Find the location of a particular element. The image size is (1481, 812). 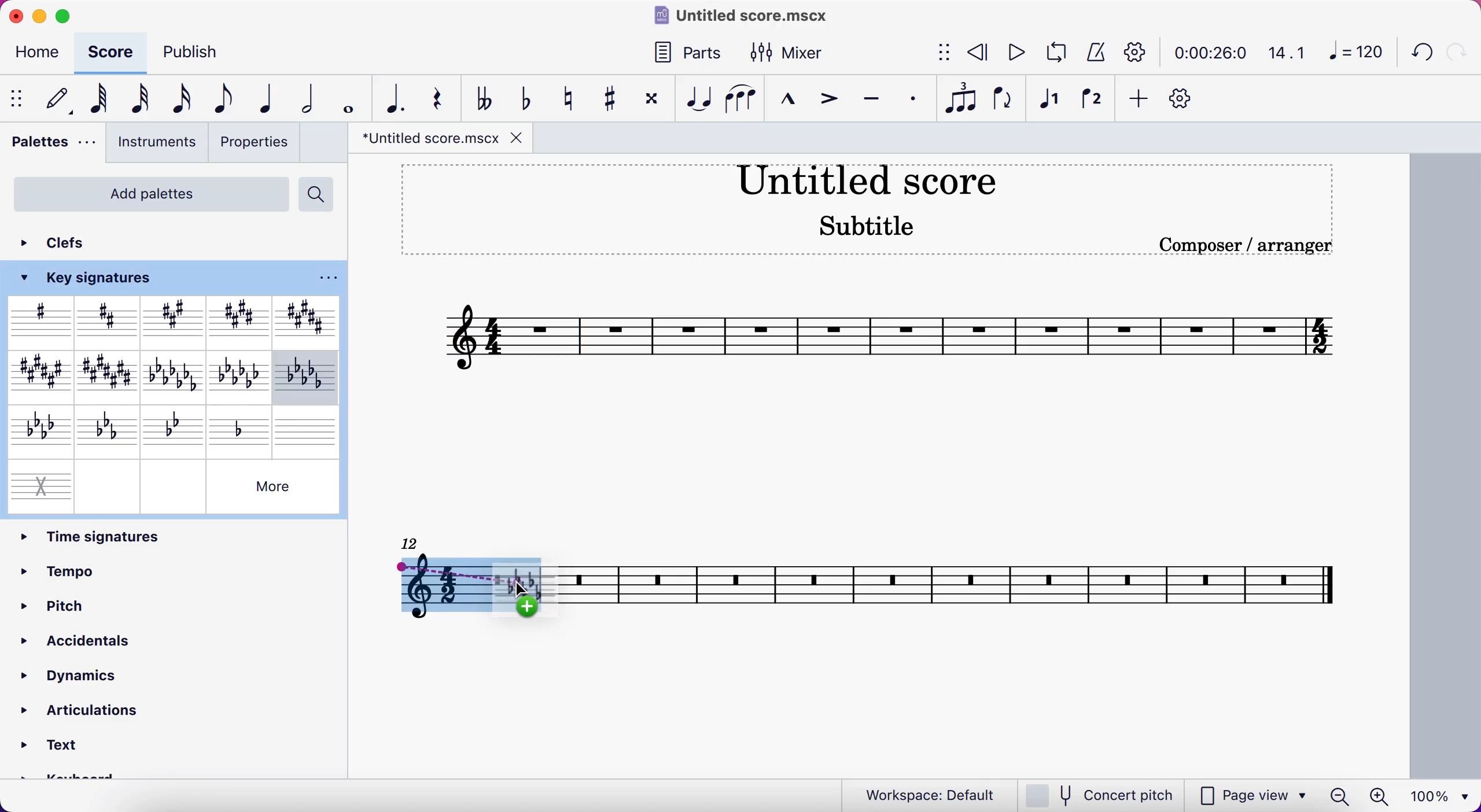

instruments is located at coordinates (156, 146).